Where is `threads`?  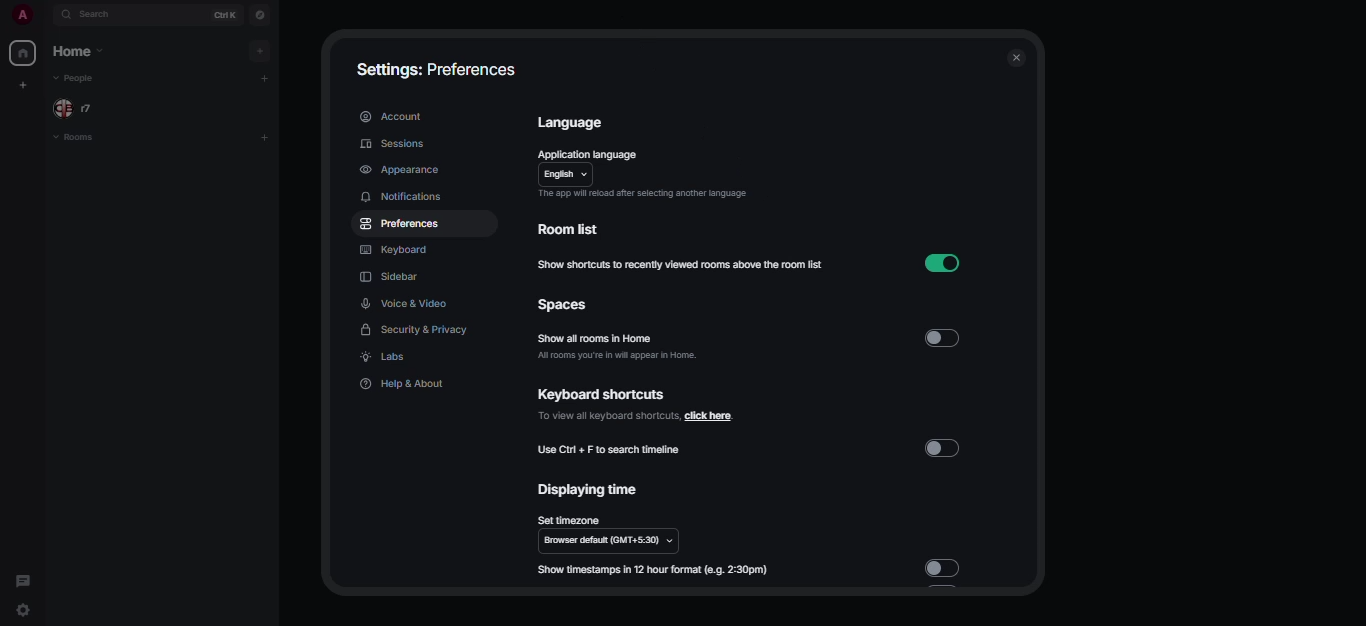 threads is located at coordinates (24, 579).